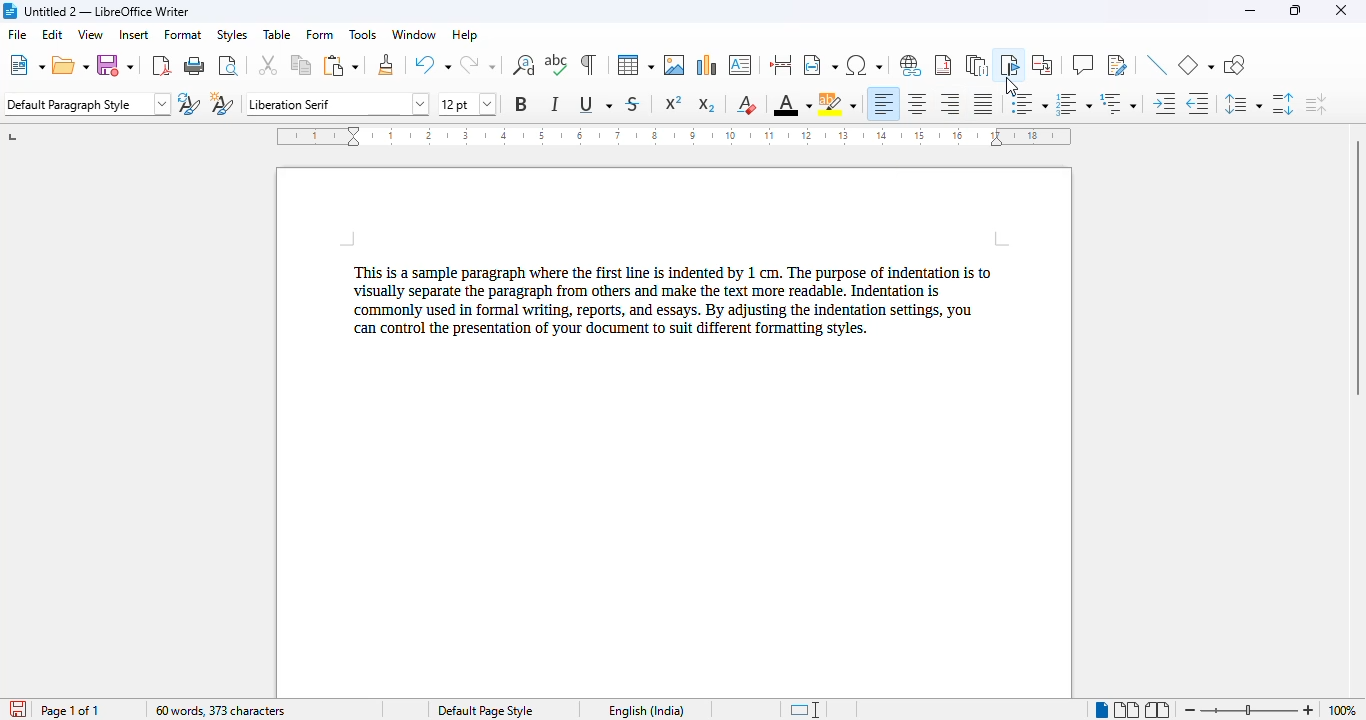 Image resolution: width=1366 pixels, height=720 pixels. Describe the element at coordinates (195, 65) in the screenshot. I see `print` at that location.